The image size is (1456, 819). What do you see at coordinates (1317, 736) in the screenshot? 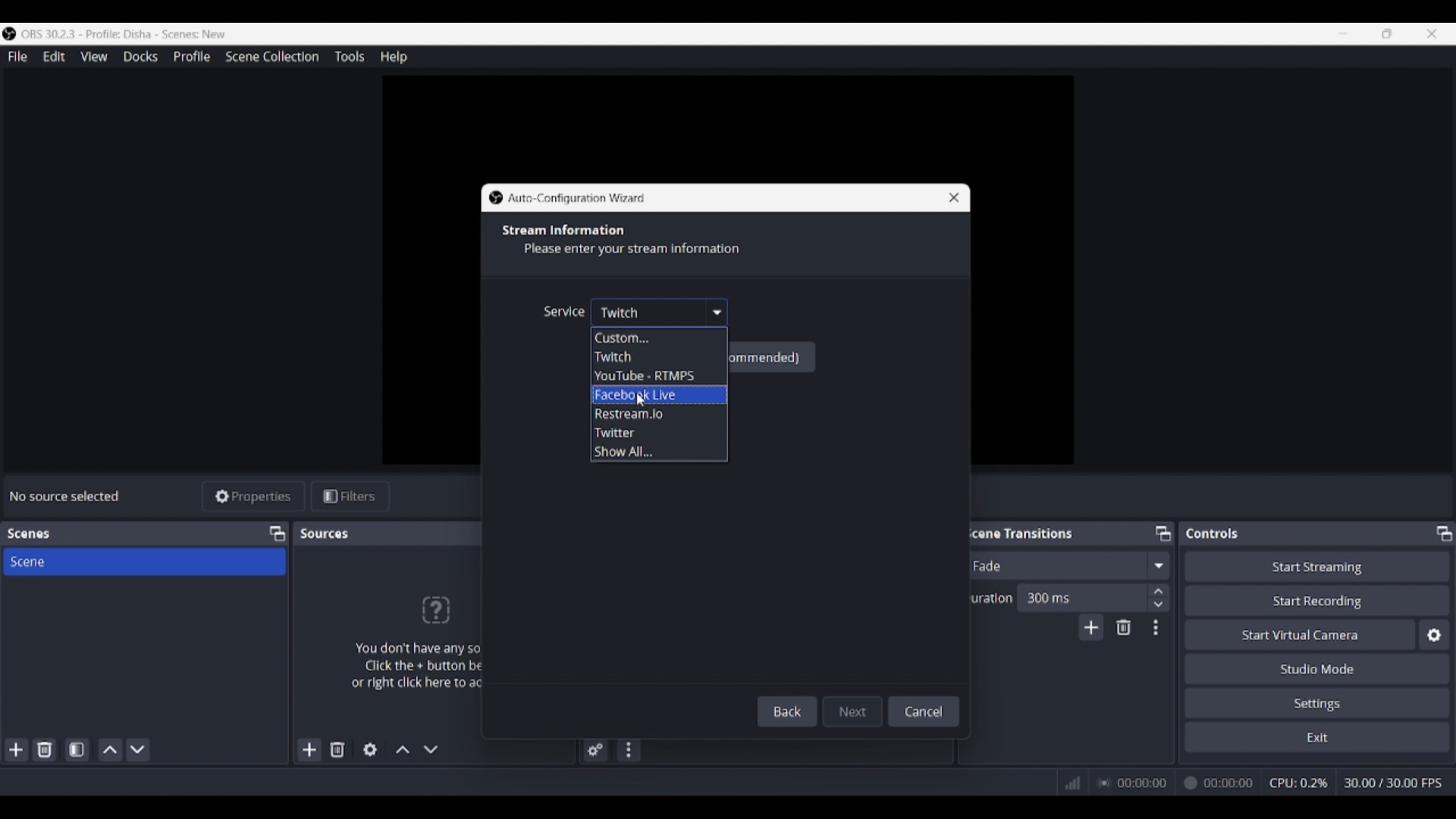
I see `Exit` at bounding box center [1317, 736].